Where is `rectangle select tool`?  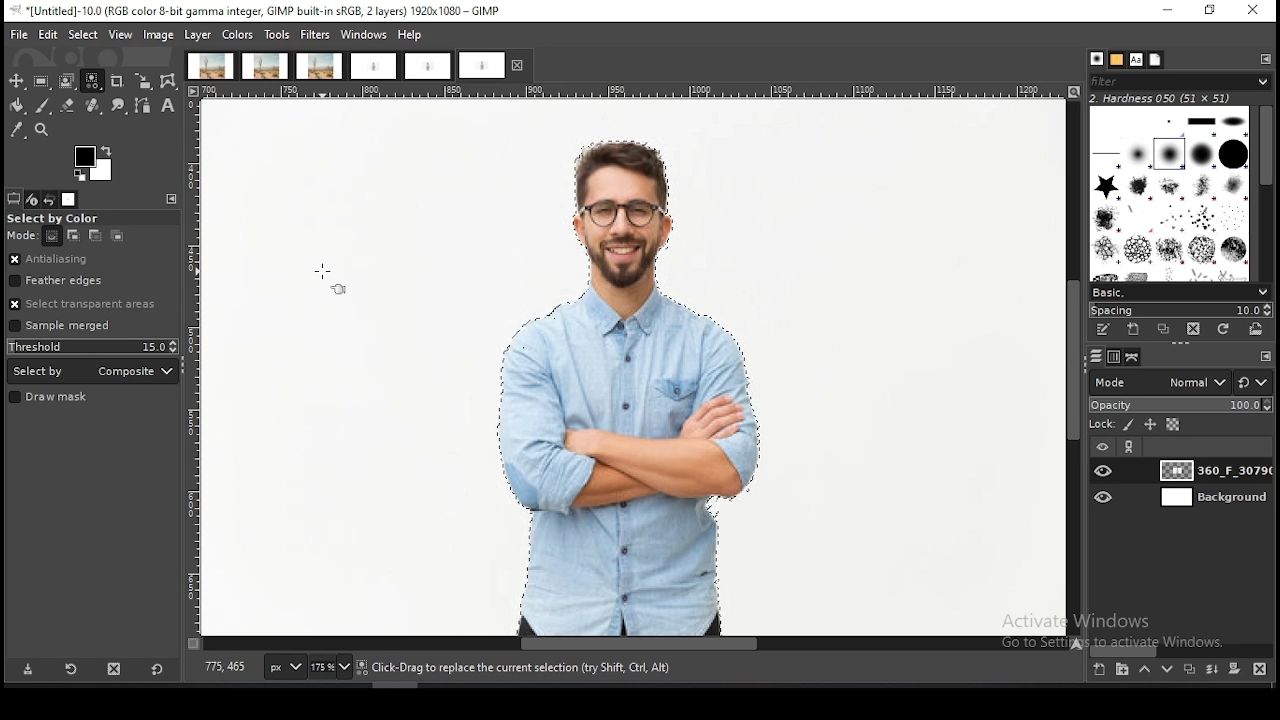
rectangle select tool is located at coordinates (41, 81).